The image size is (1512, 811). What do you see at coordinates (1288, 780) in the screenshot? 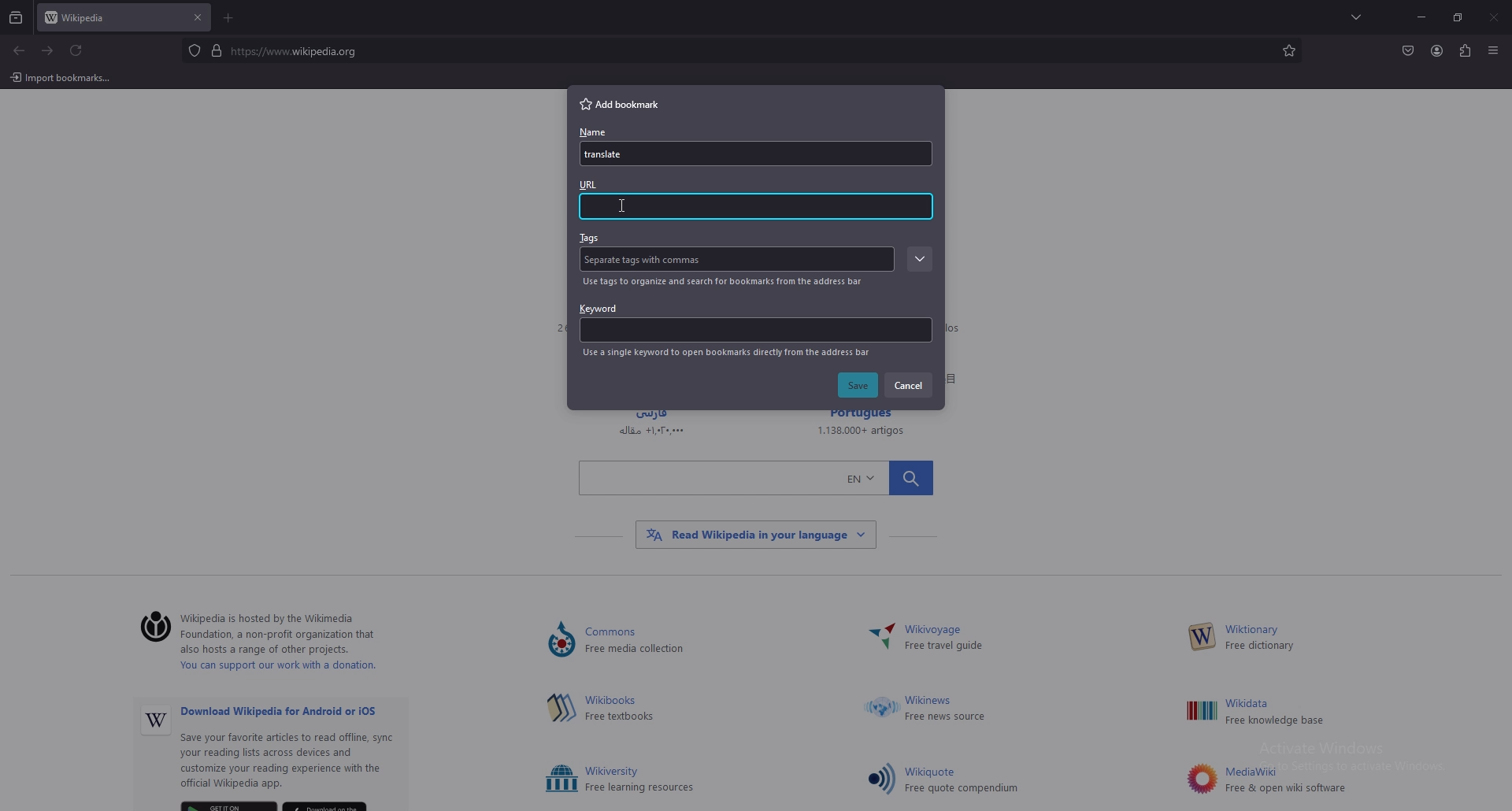
I see `` at bounding box center [1288, 780].